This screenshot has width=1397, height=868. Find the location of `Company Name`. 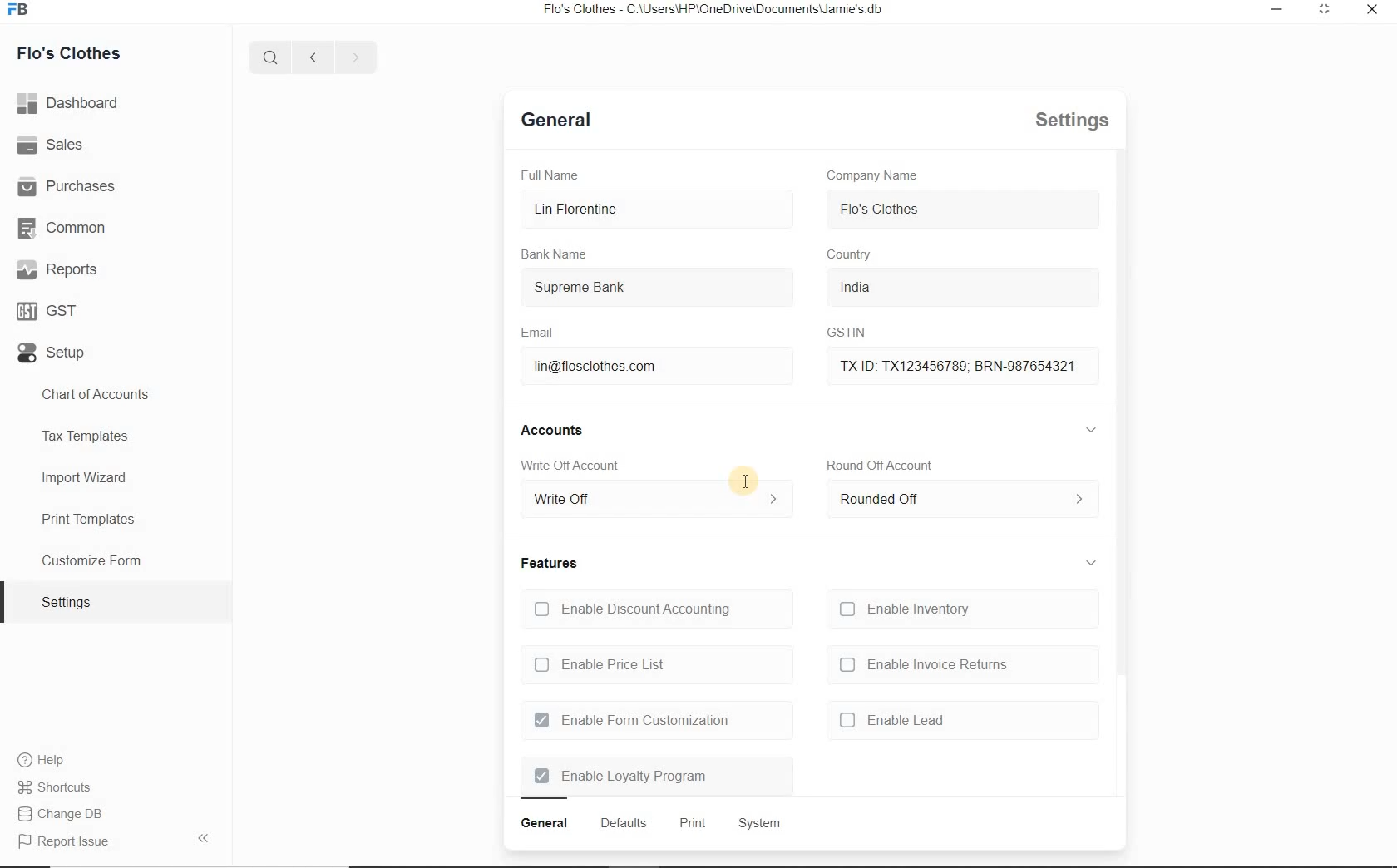

Company Name is located at coordinates (876, 174).